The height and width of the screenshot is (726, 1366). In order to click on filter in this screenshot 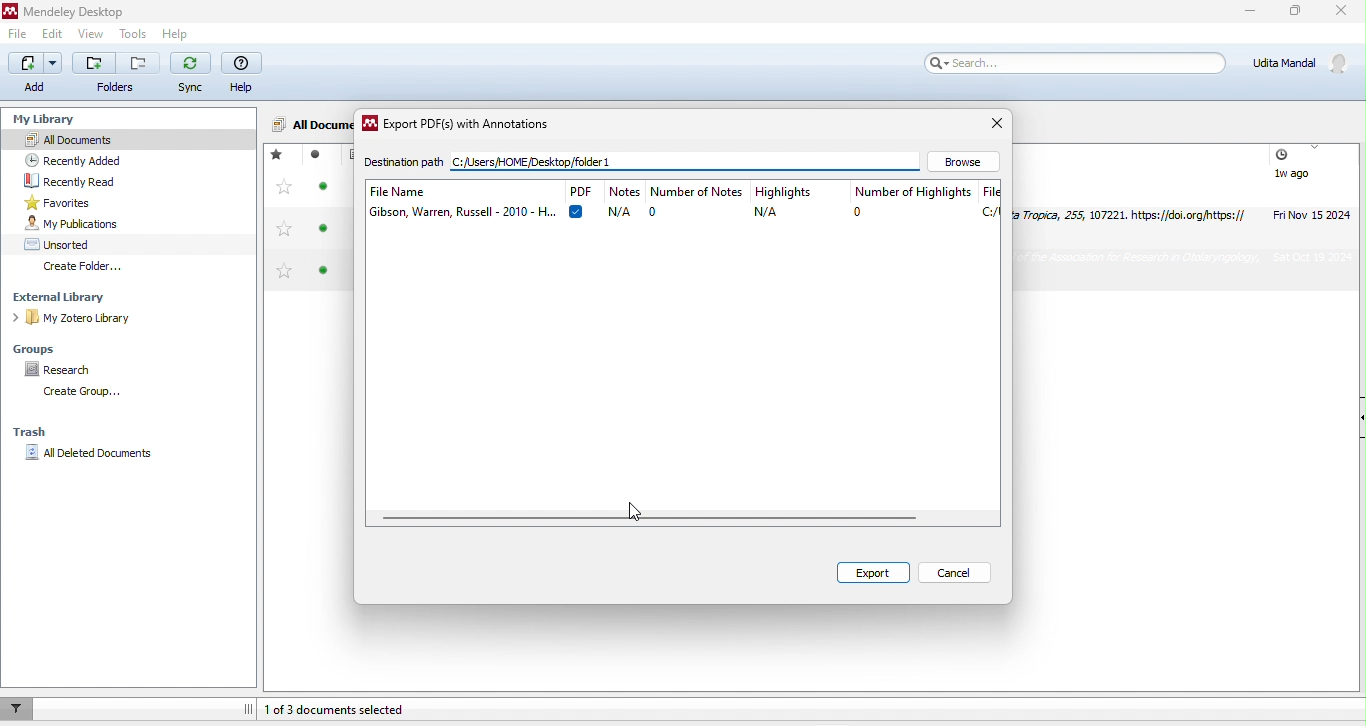, I will do `click(20, 708)`.